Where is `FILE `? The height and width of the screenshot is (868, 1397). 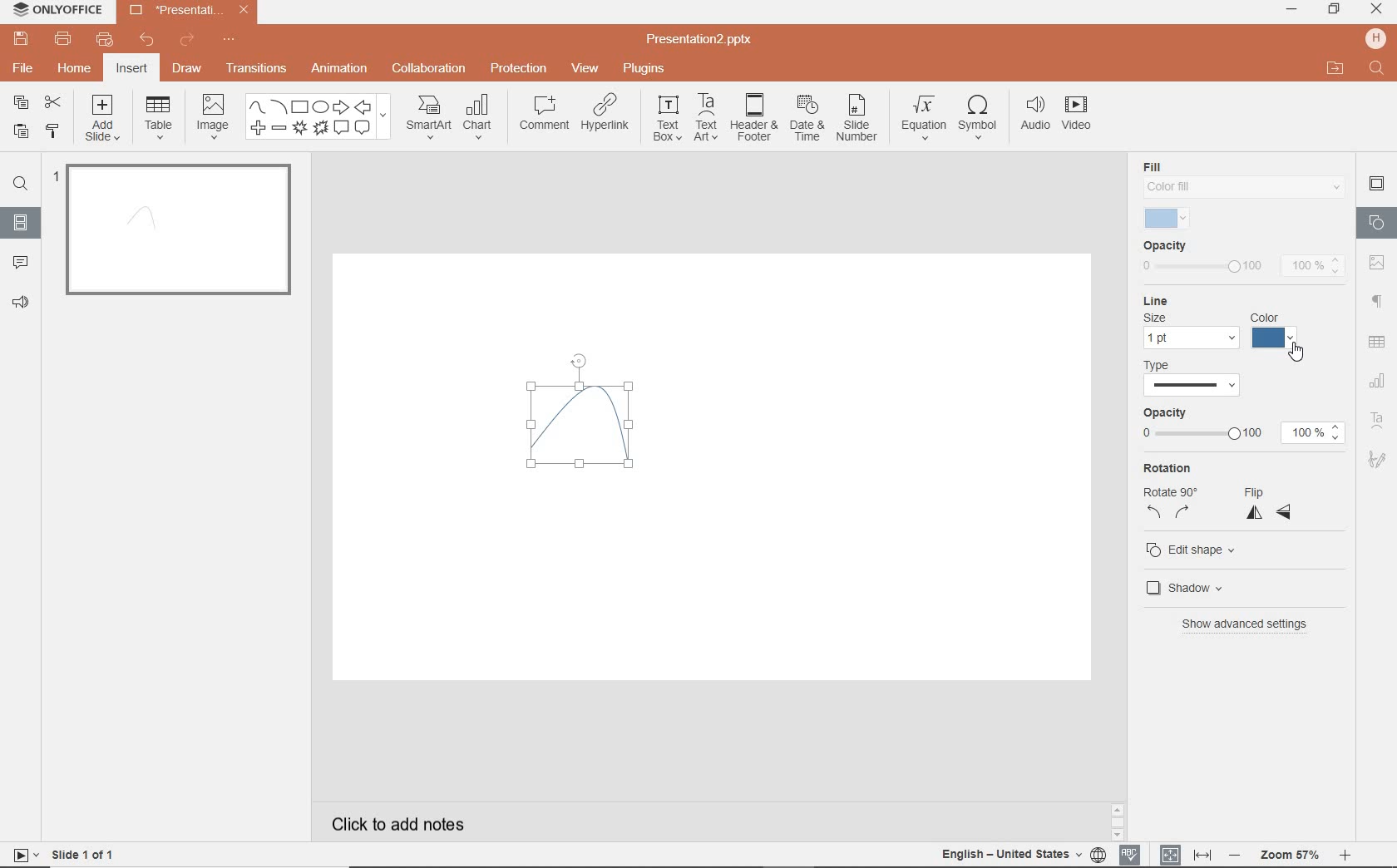
FILE  is located at coordinates (25, 70).